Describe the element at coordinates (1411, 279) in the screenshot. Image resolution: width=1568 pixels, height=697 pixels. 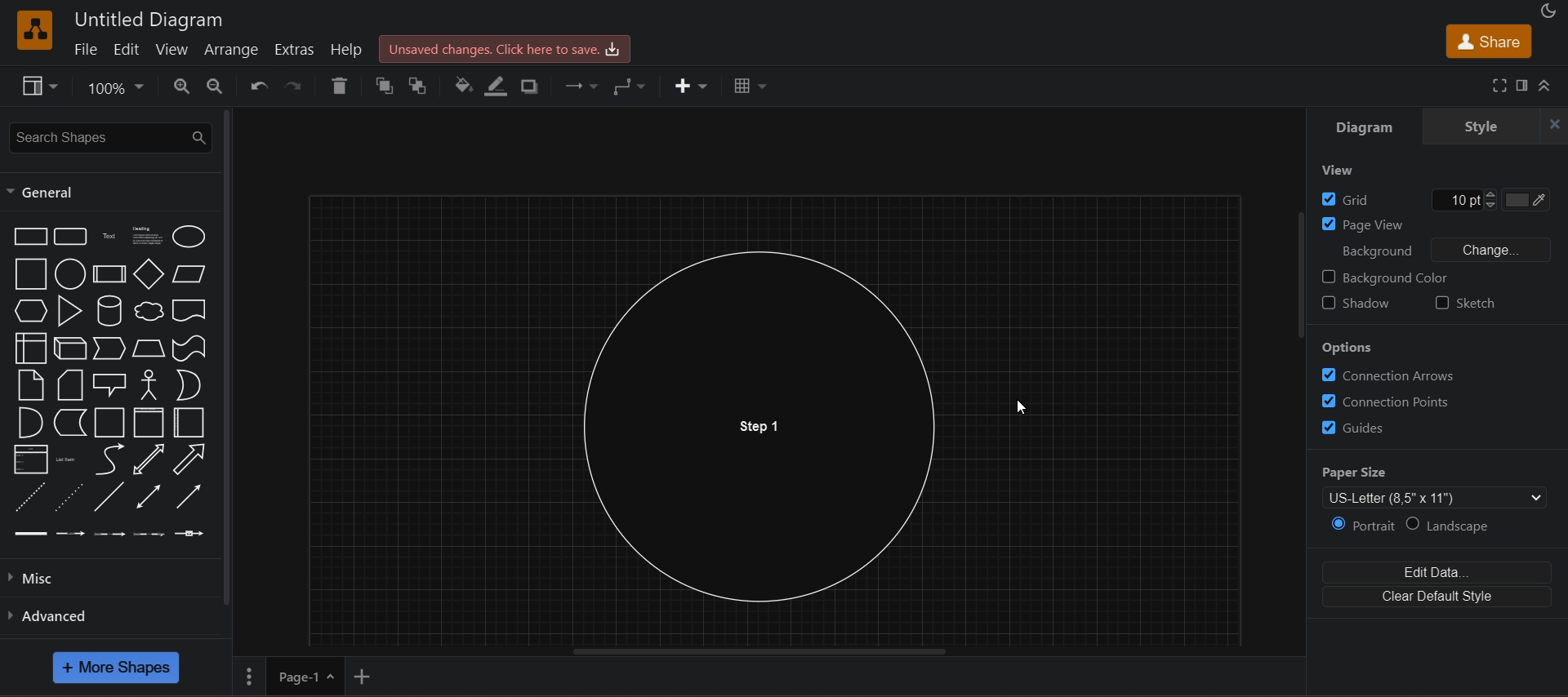
I see `Background color` at that location.